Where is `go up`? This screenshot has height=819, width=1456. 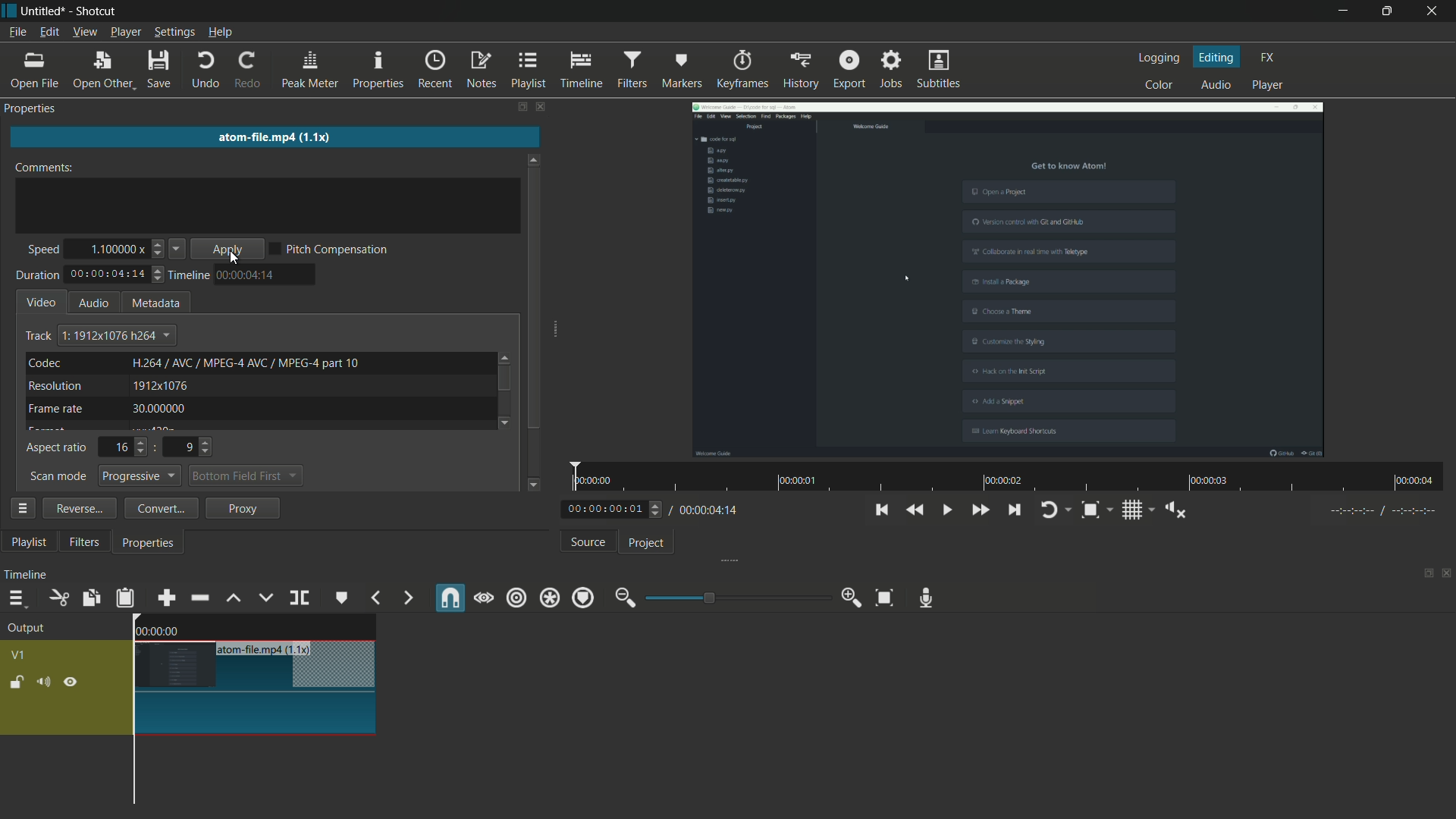 go up is located at coordinates (535, 155).